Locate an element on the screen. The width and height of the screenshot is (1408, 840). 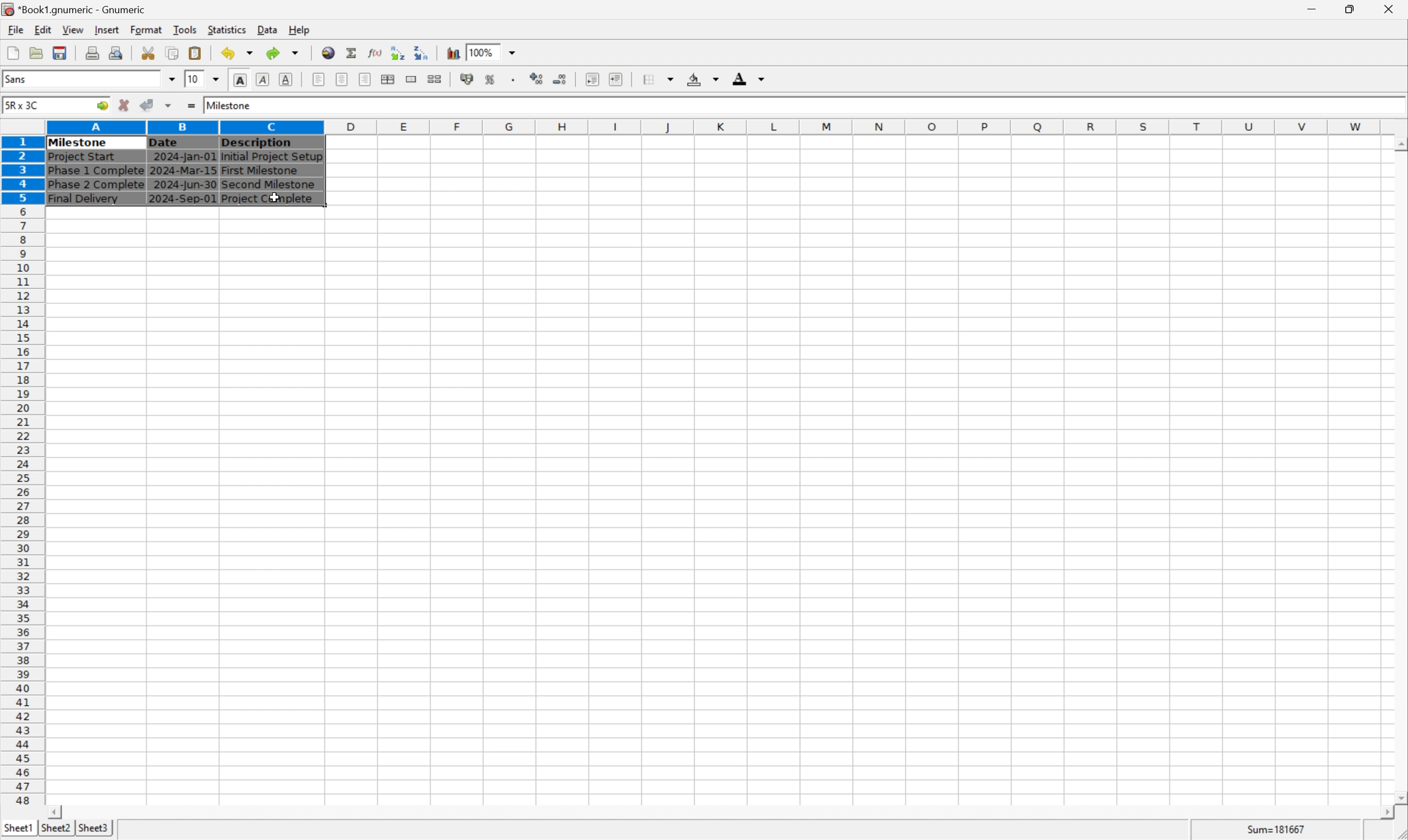
drop down is located at coordinates (513, 52).